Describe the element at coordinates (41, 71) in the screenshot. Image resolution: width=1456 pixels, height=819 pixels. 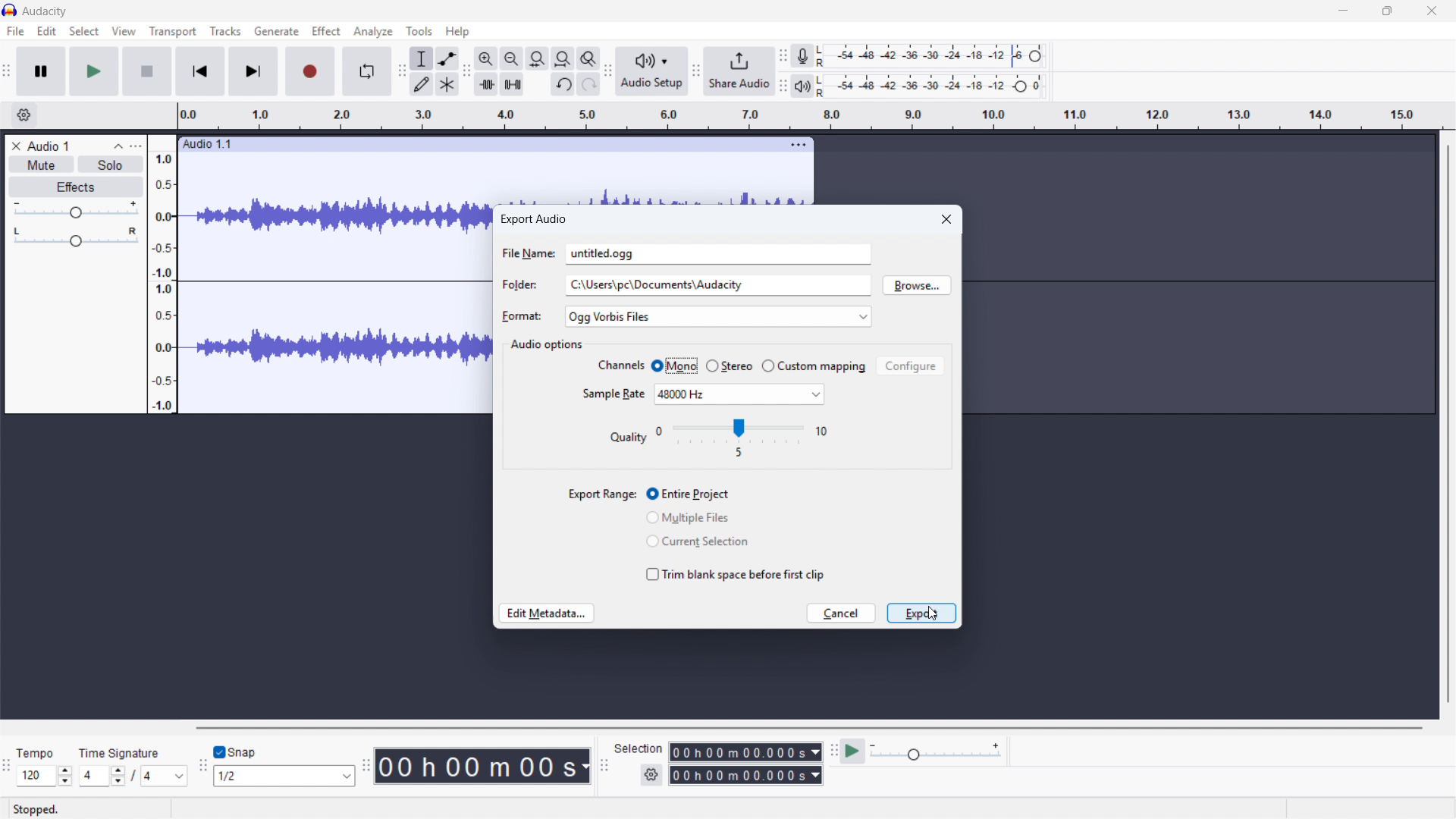
I see `Pause` at that location.